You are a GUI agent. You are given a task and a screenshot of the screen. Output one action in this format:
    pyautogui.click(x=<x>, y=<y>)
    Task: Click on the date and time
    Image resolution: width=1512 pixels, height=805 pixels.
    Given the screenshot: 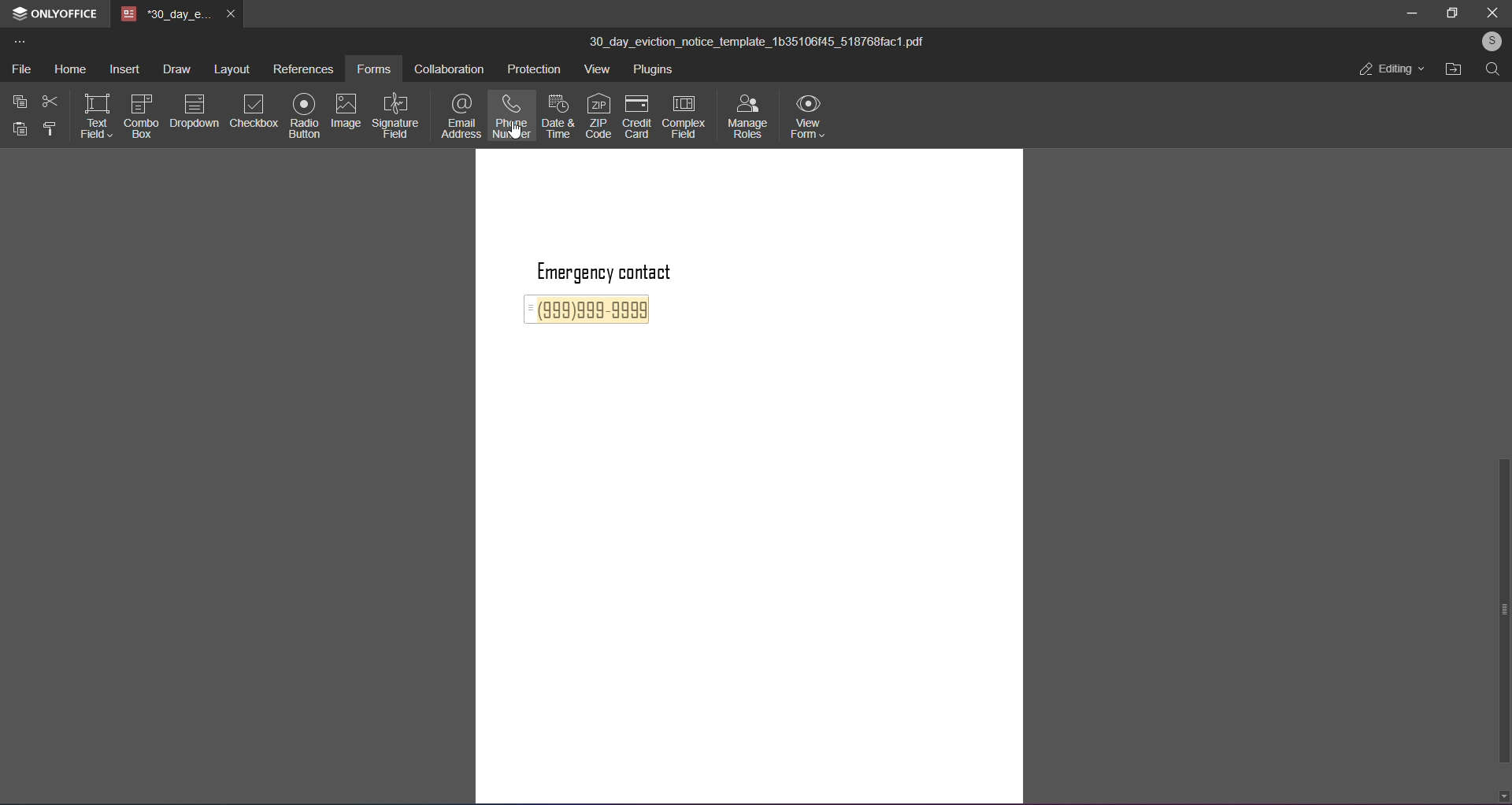 What is the action you would take?
    pyautogui.click(x=559, y=118)
    